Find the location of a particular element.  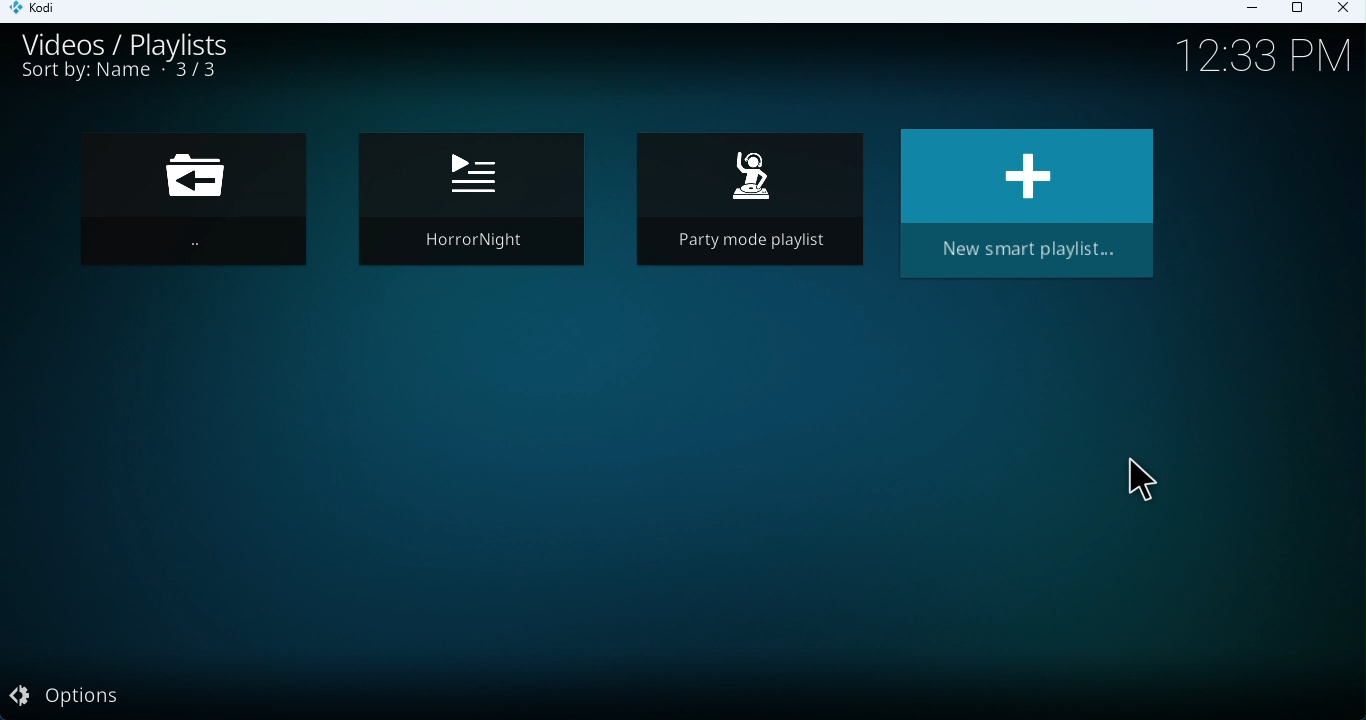

Options is located at coordinates (86, 698).